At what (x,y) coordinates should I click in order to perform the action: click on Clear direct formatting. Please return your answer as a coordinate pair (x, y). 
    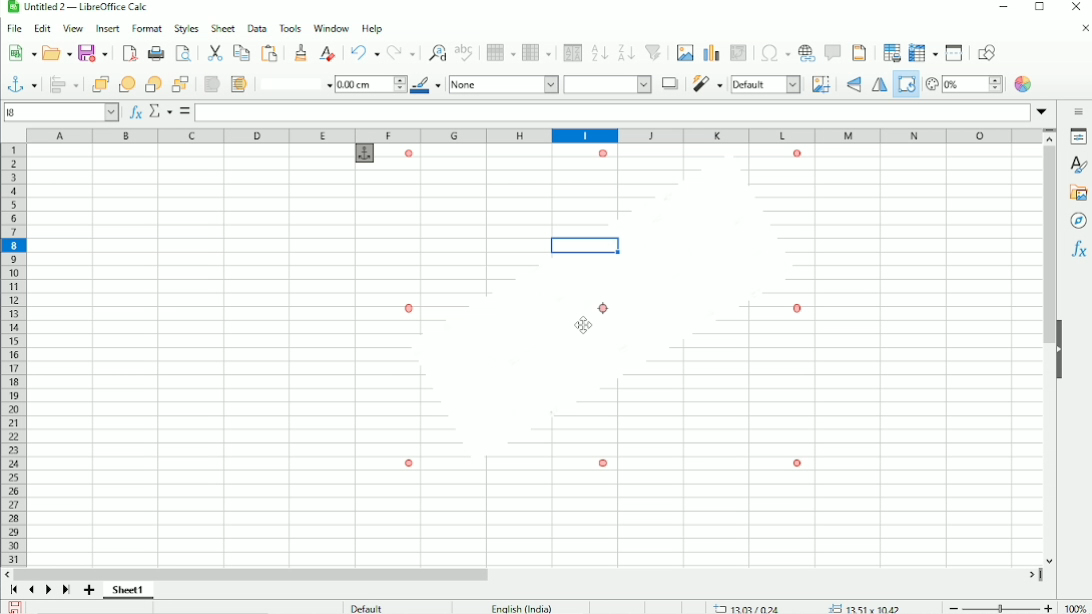
    Looking at the image, I should click on (326, 53).